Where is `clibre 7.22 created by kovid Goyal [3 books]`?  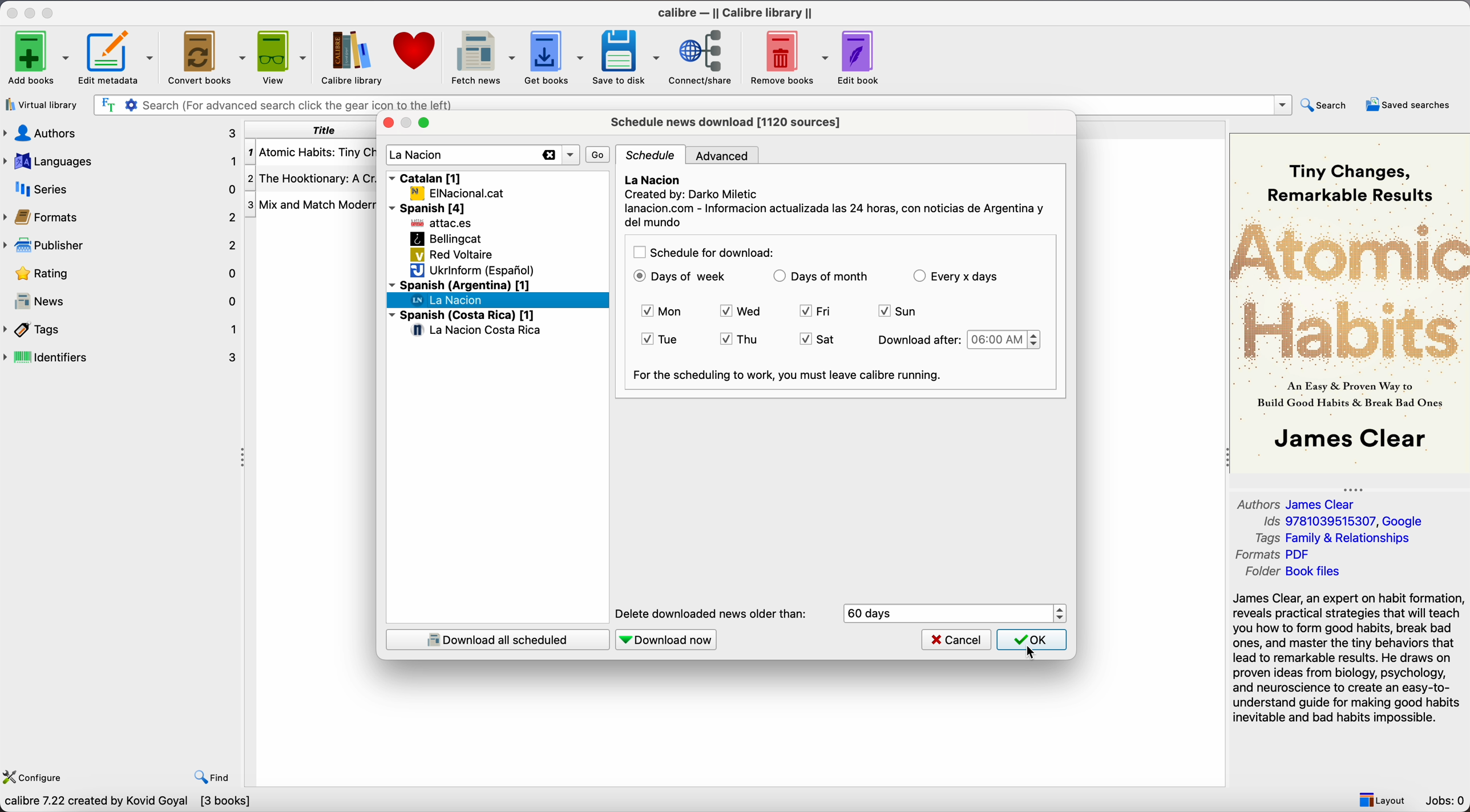 clibre 7.22 created by kovid Goyal [3 books] is located at coordinates (127, 803).